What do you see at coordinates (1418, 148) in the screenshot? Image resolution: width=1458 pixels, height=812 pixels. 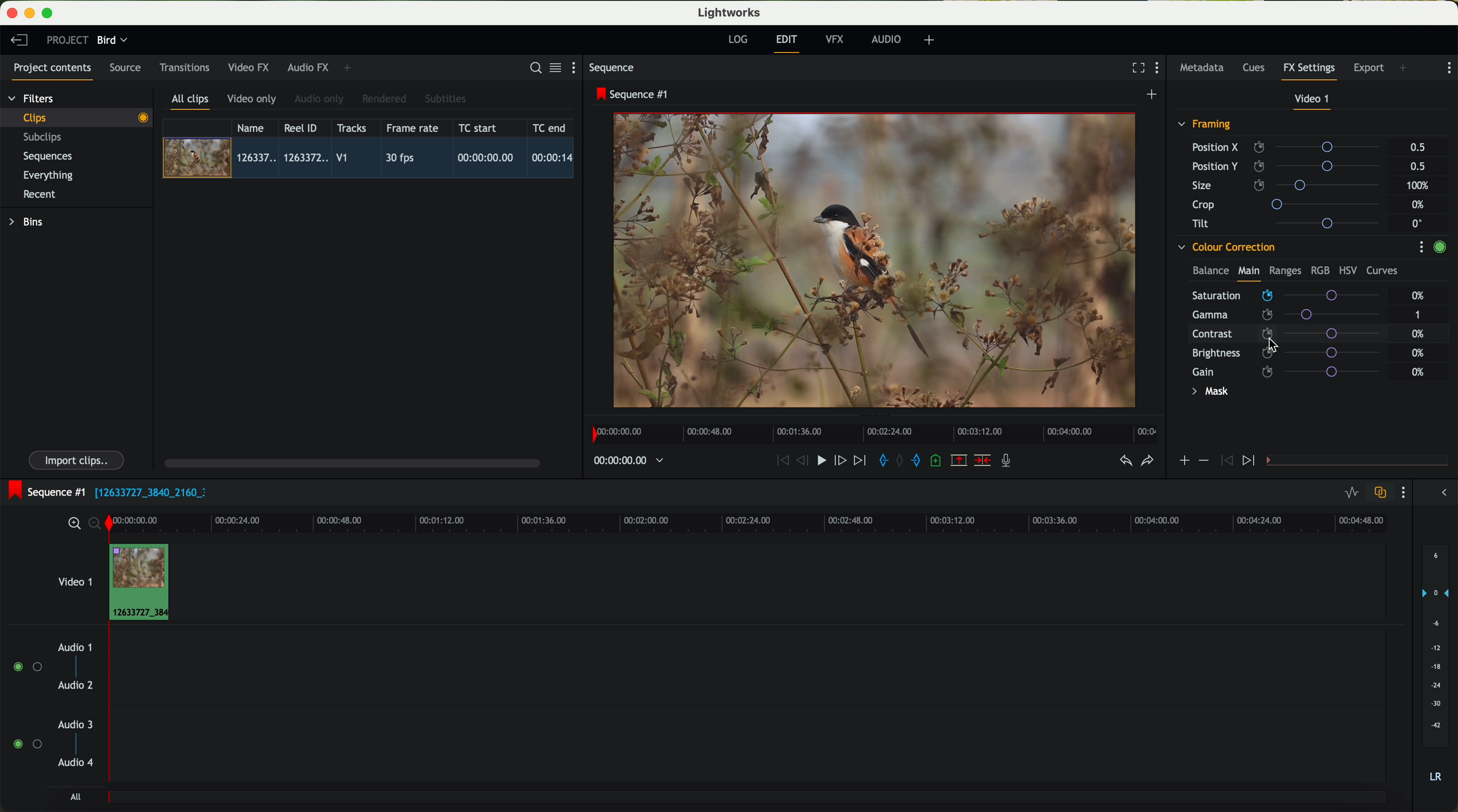 I see `0.5` at bounding box center [1418, 148].